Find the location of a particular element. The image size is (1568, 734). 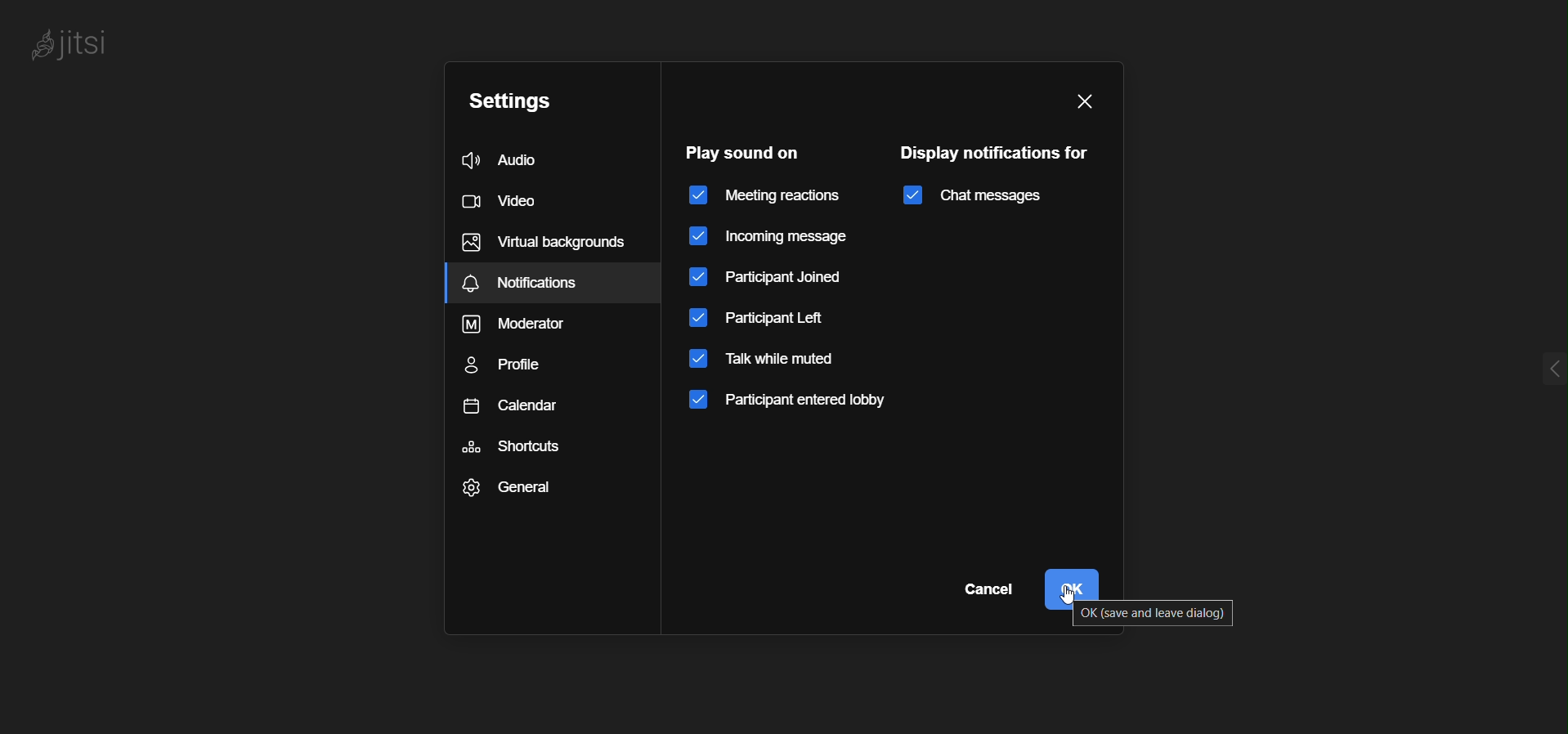

notifications is located at coordinates (554, 284).